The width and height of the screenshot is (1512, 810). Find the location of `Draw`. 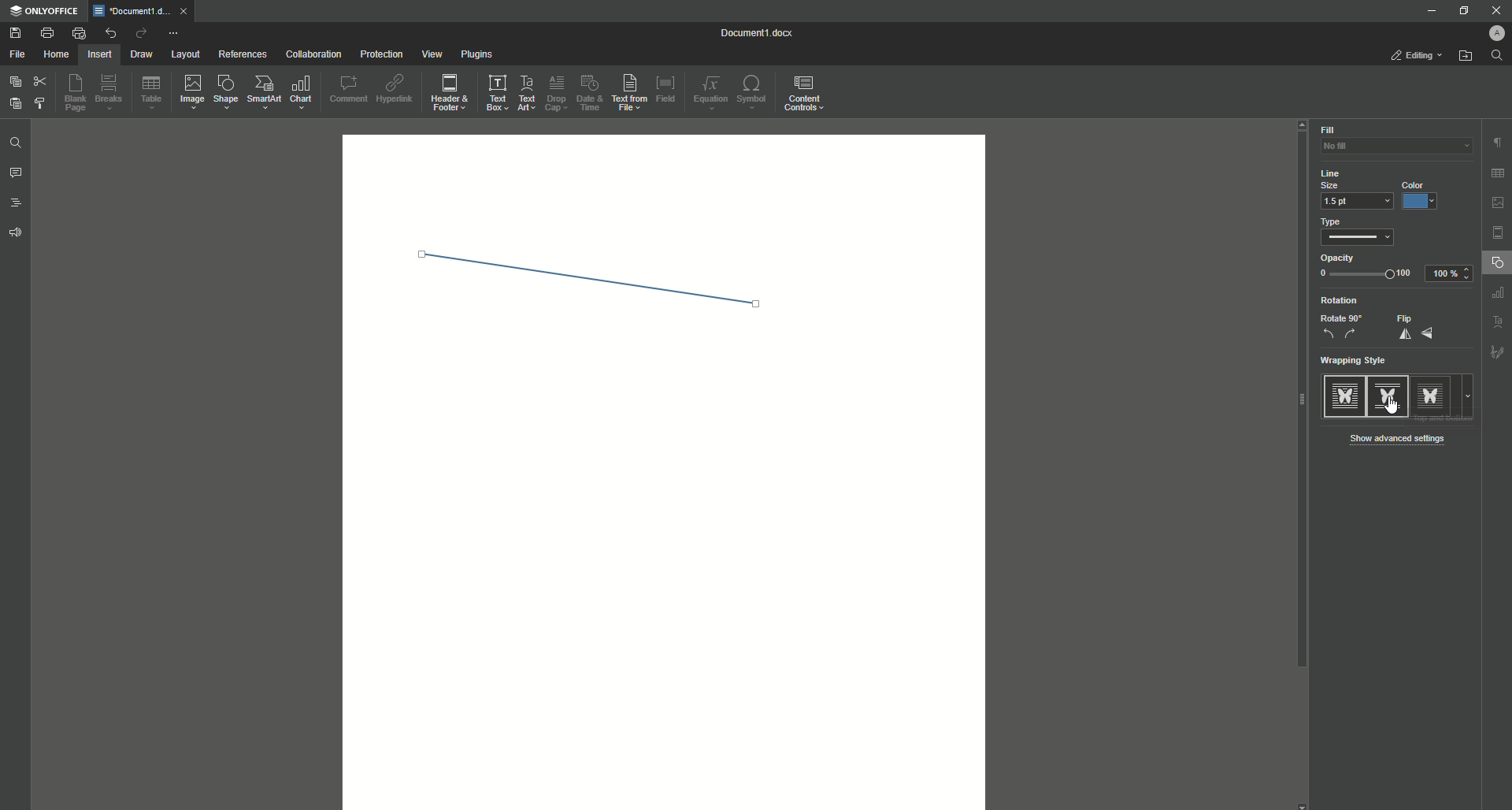

Draw is located at coordinates (141, 55).